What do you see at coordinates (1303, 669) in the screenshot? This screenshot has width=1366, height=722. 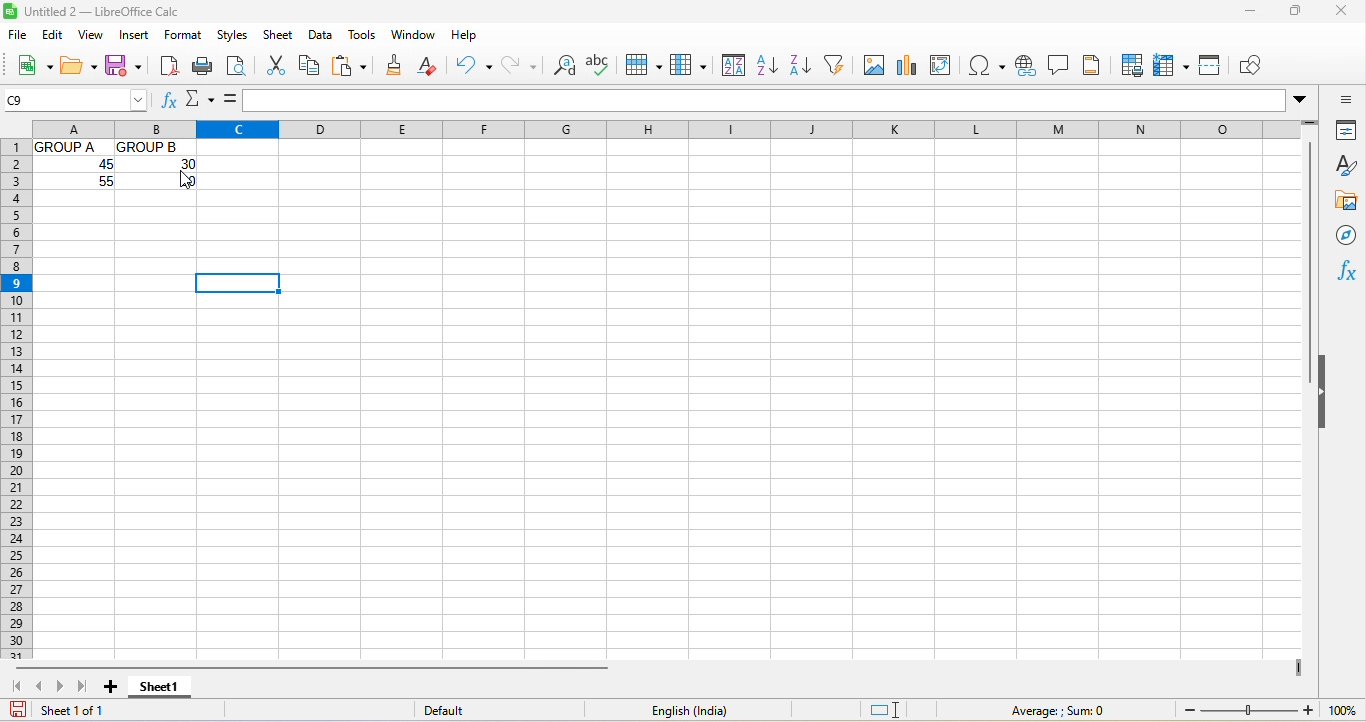 I see `drag to view more columns` at bounding box center [1303, 669].